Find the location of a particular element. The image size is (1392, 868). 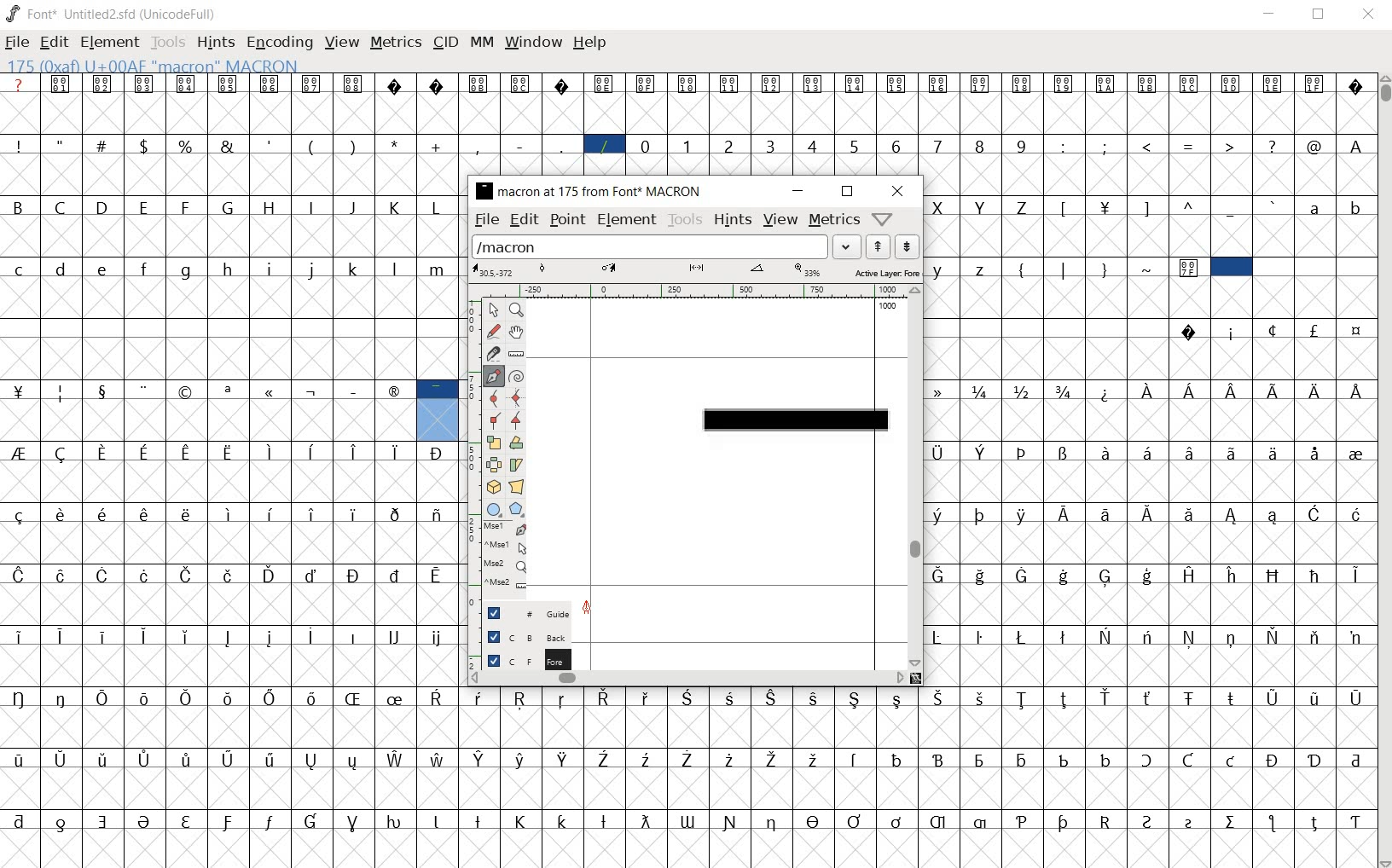

Symbol is located at coordinates (351, 84).